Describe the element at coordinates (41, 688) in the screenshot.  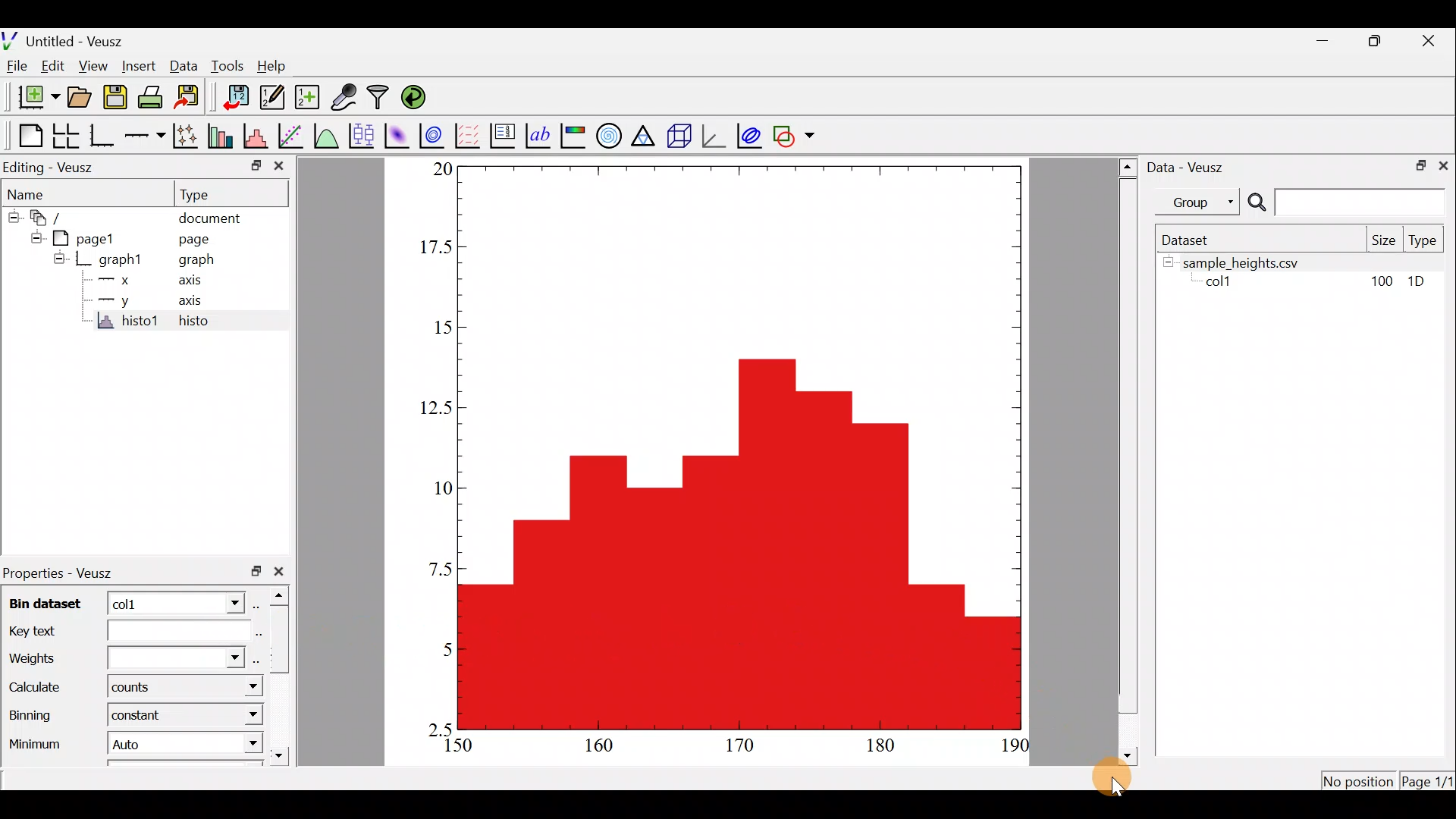
I see `Calculate` at that location.